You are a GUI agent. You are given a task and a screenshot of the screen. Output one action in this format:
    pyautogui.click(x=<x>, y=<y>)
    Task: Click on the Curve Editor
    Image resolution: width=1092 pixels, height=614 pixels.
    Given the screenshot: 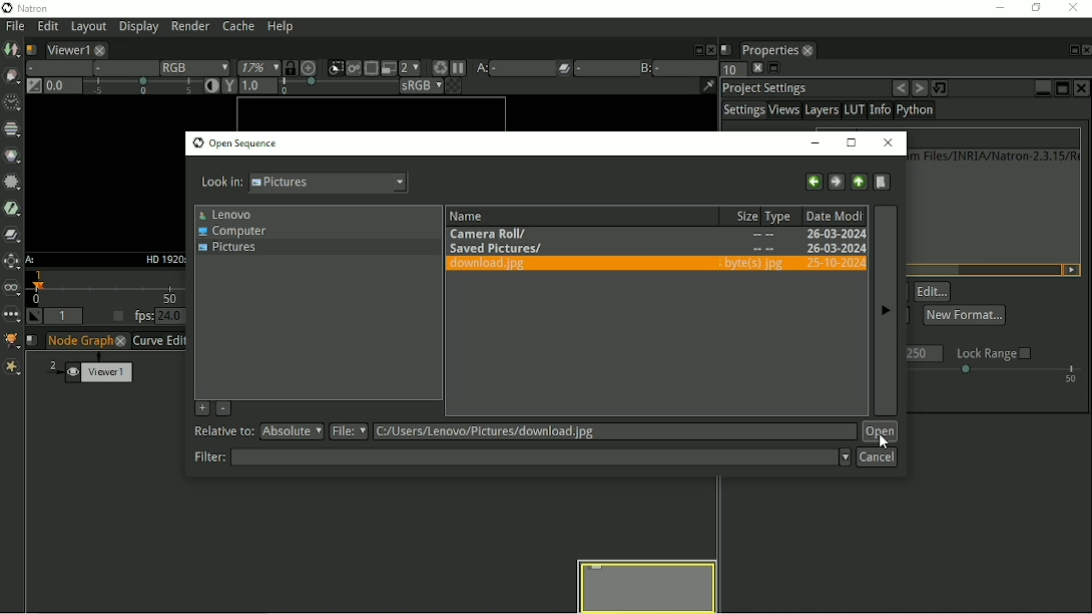 What is the action you would take?
    pyautogui.click(x=160, y=341)
    